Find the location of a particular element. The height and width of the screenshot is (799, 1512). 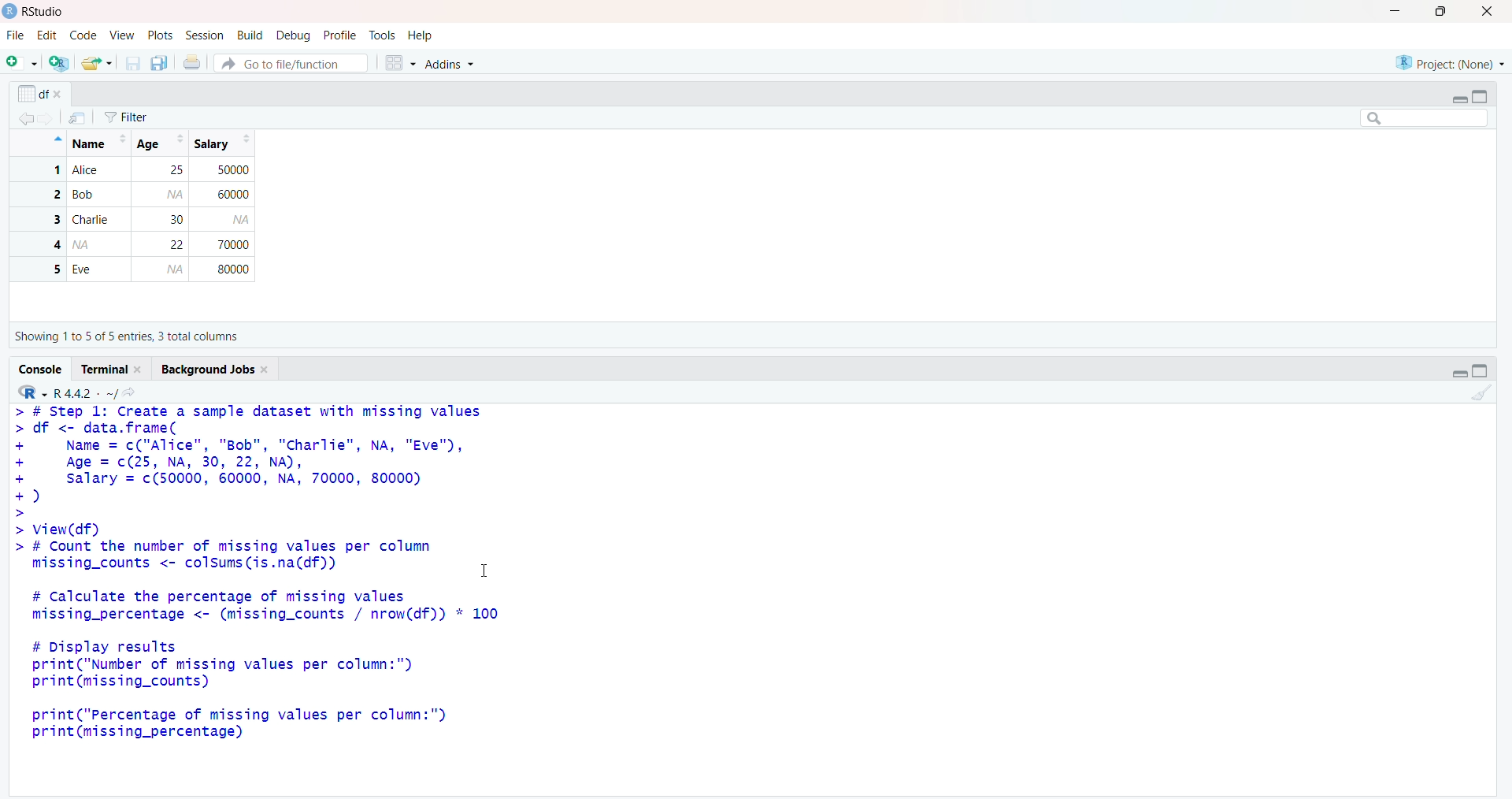

Edit is located at coordinates (48, 37).